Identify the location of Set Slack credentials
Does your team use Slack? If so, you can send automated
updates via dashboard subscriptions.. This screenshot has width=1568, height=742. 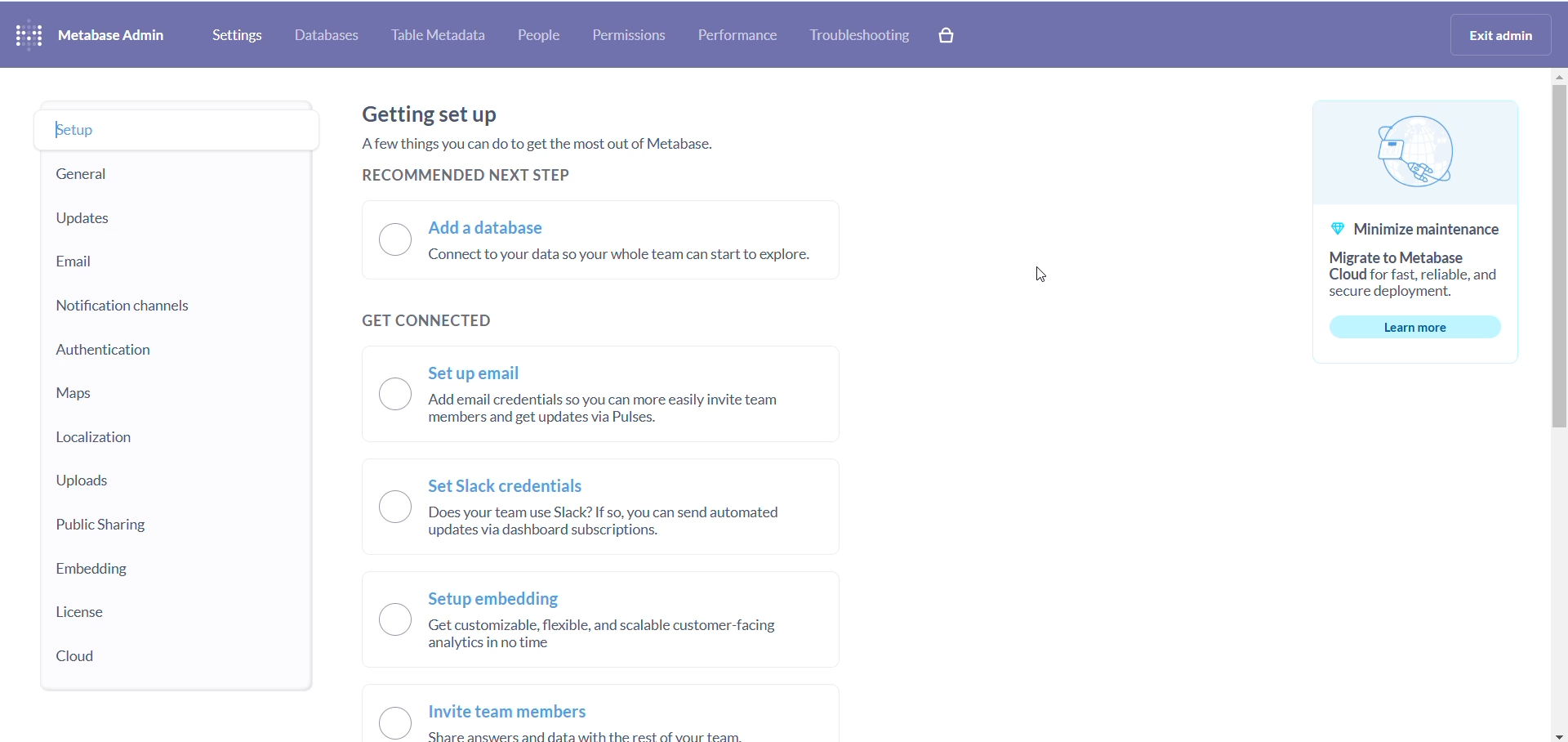
(630, 511).